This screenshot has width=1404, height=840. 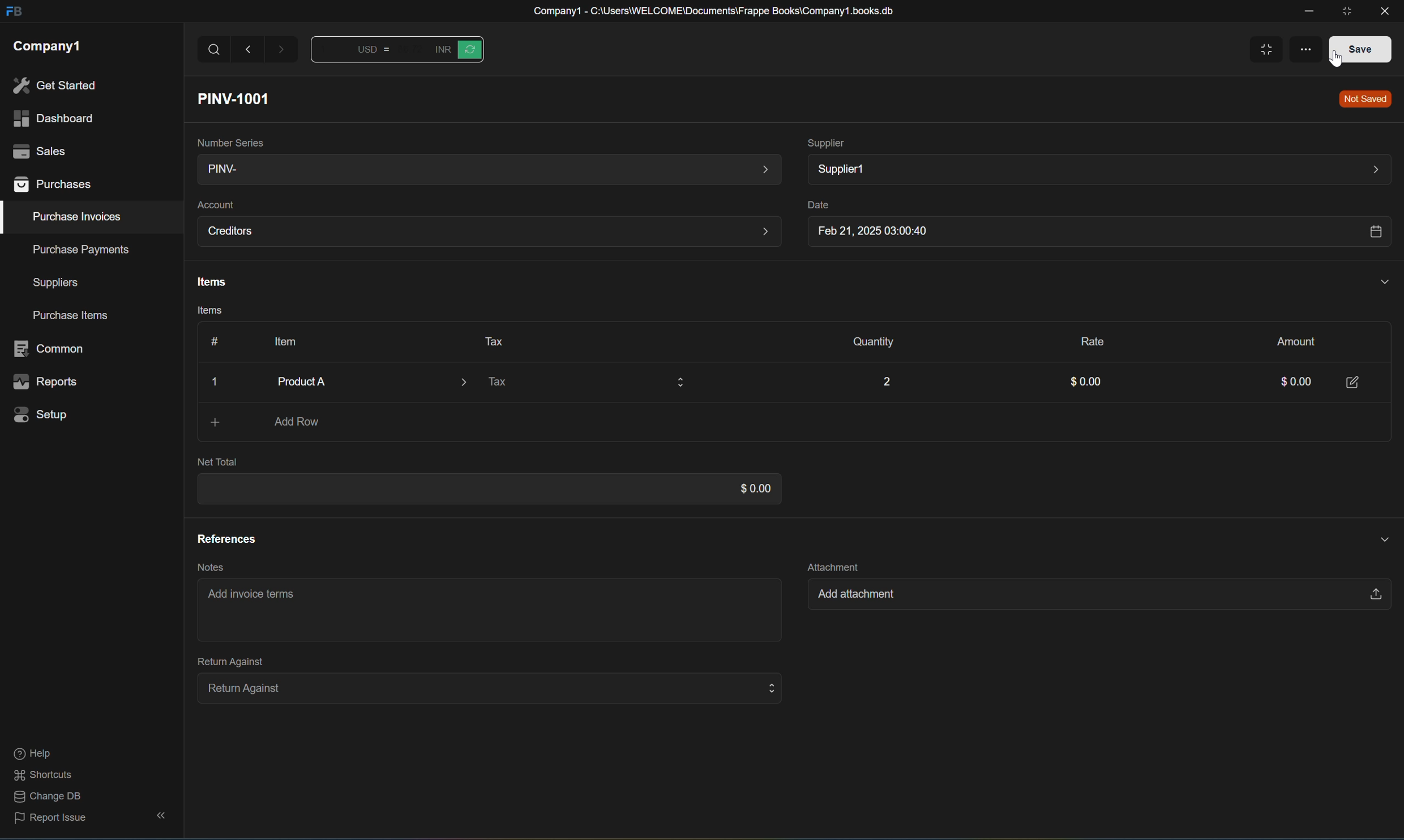 What do you see at coordinates (483, 687) in the screenshot?
I see `Return Against` at bounding box center [483, 687].